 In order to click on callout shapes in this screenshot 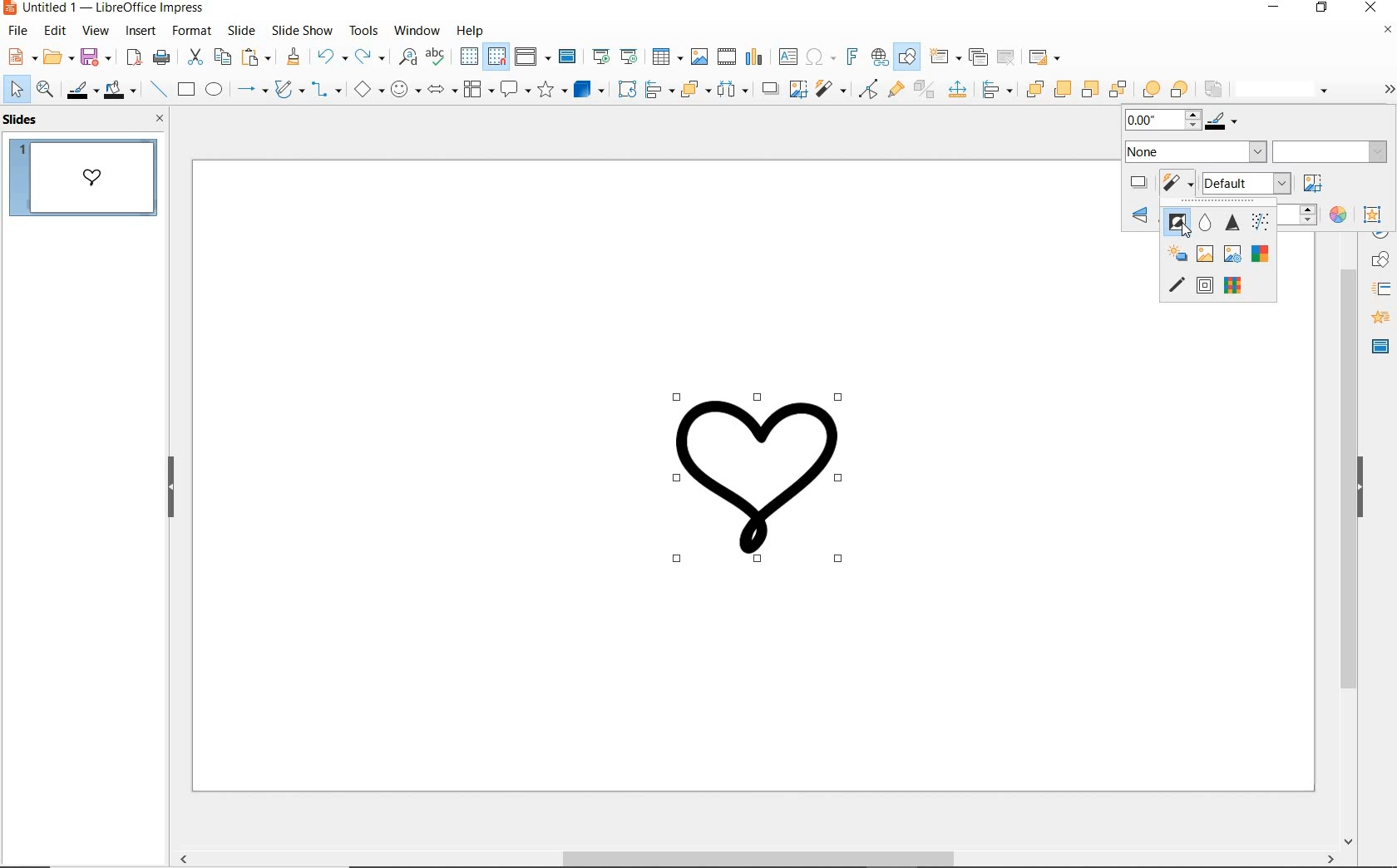, I will do `click(515, 88)`.